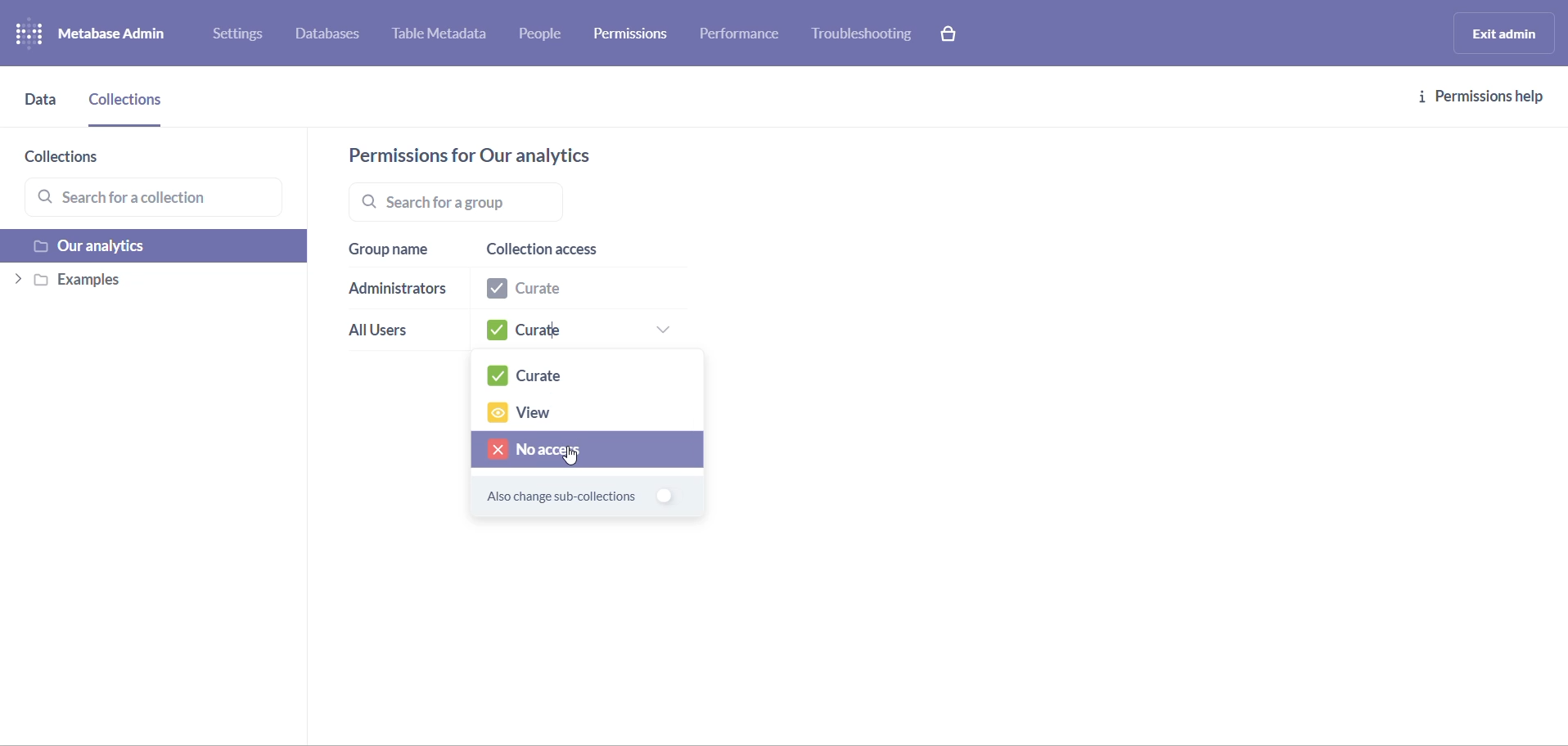  What do you see at coordinates (587, 414) in the screenshot?
I see `view` at bounding box center [587, 414].